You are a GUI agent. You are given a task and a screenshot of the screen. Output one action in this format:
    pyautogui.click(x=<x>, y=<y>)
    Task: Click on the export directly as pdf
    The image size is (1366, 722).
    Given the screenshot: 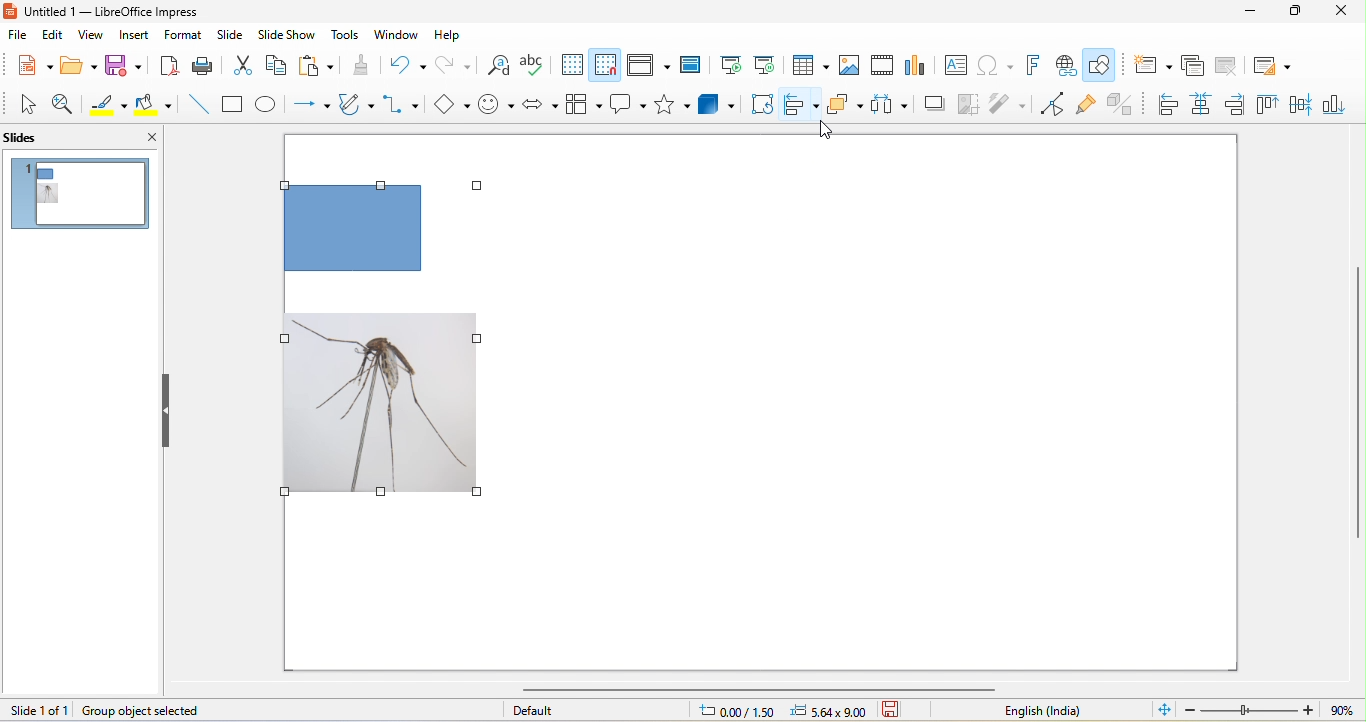 What is the action you would take?
    pyautogui.click(x=169, y=67)
    